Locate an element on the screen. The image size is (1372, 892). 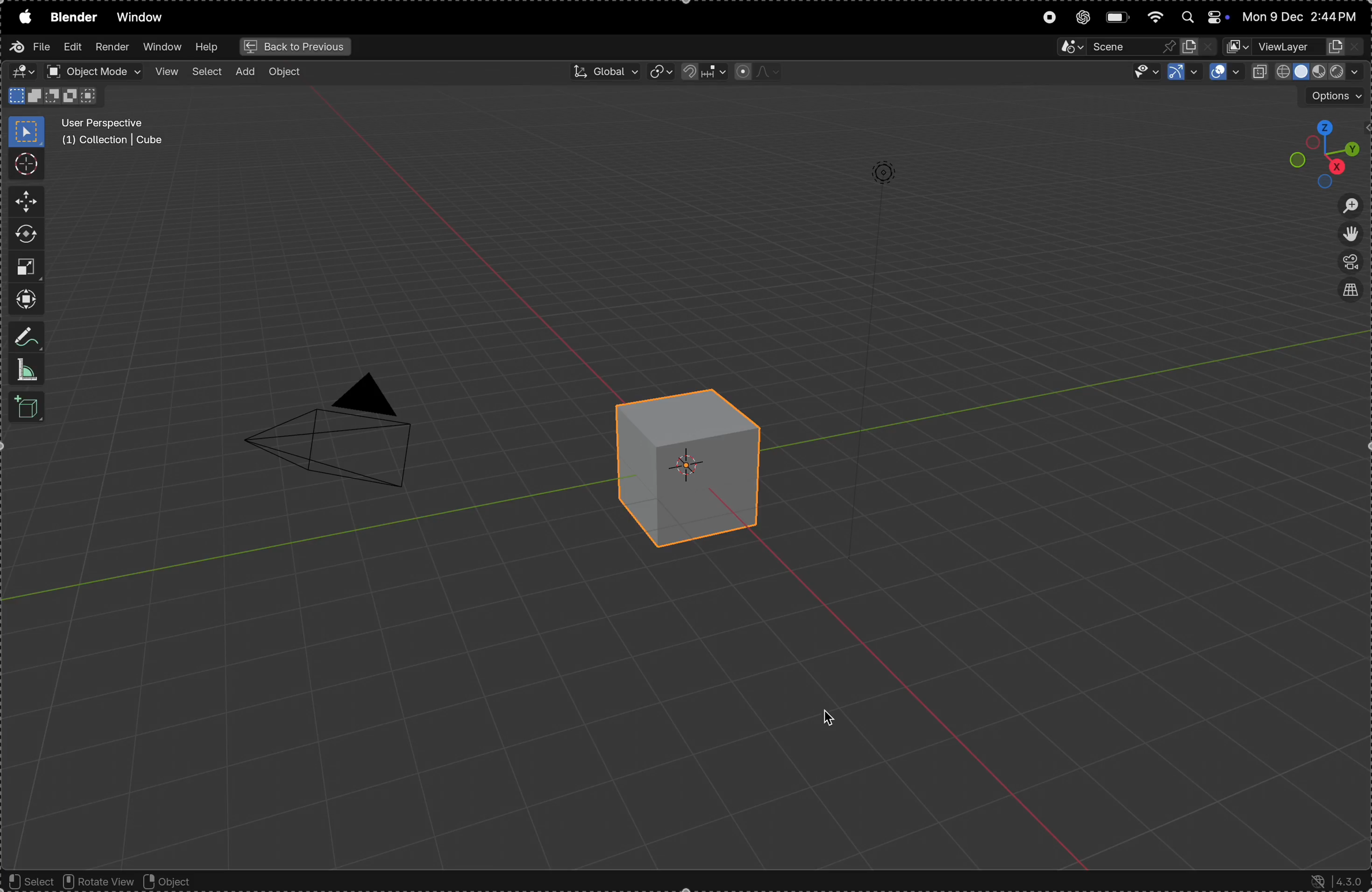
trasnform is located at coordinates (22, 299).